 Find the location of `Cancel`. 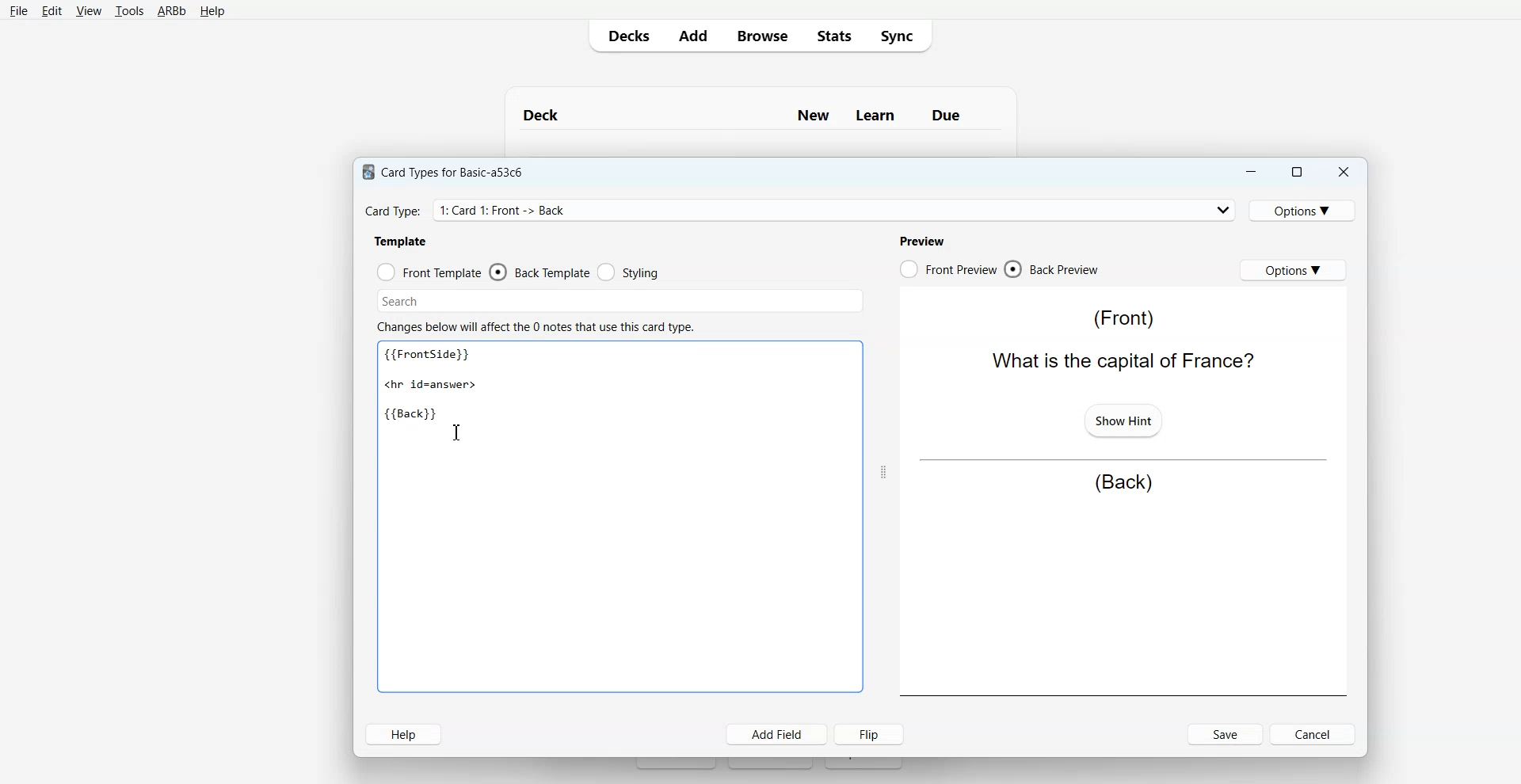

Cancel is located at coordinates (1315, 733).